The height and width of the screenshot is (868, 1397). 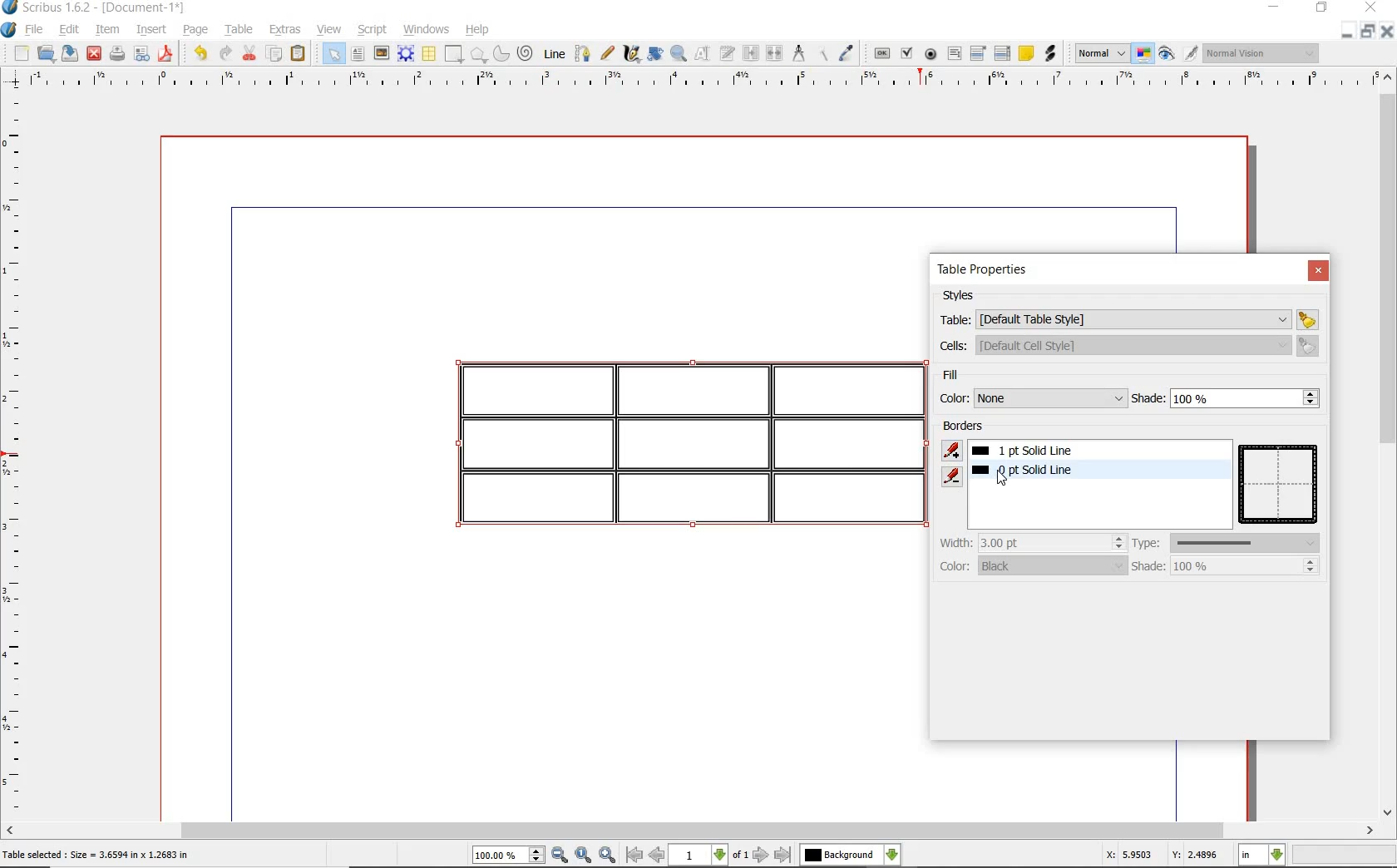 I want to click on bezier curve, so click(x=583, y=56).